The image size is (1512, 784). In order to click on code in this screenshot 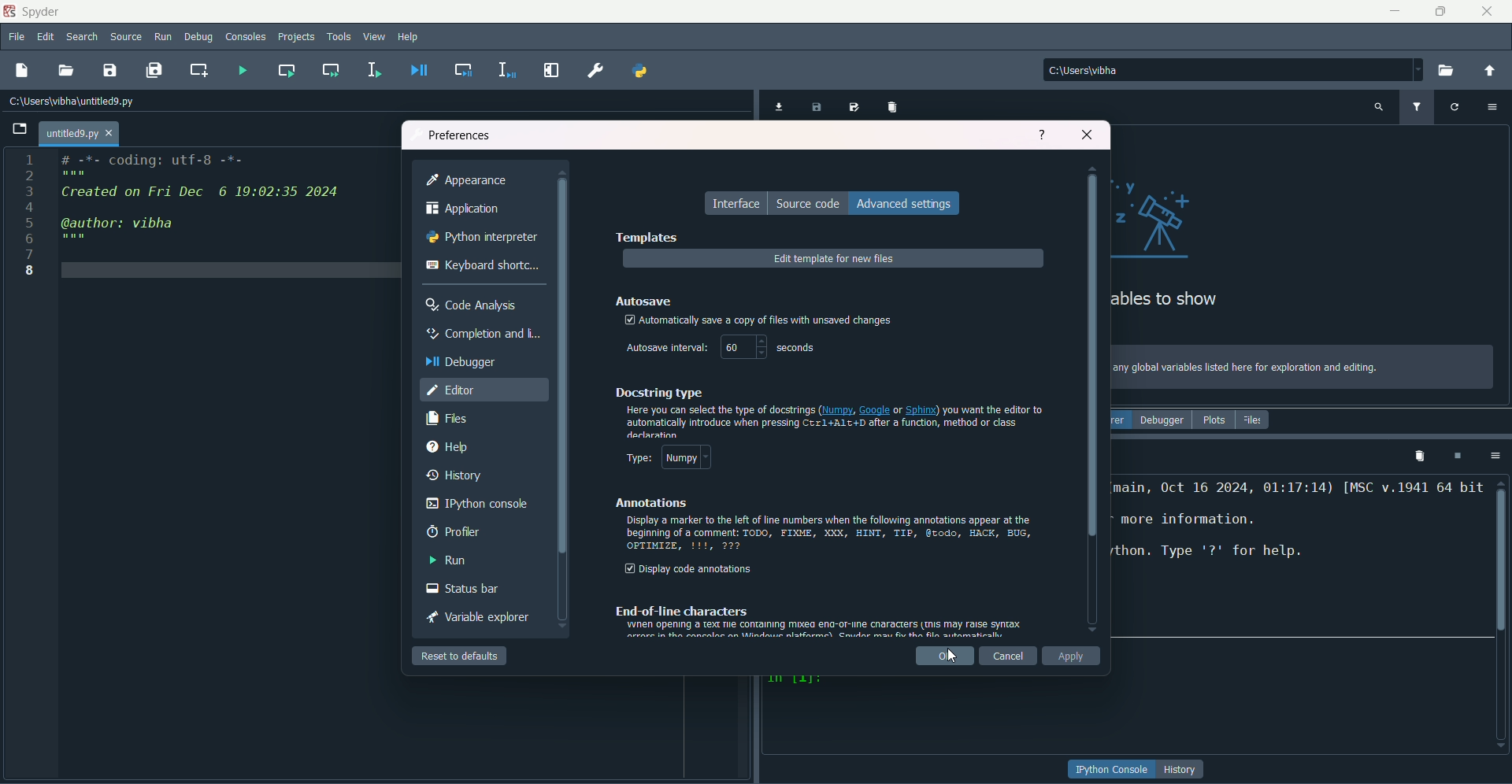, I will do `click(202, 201)`.